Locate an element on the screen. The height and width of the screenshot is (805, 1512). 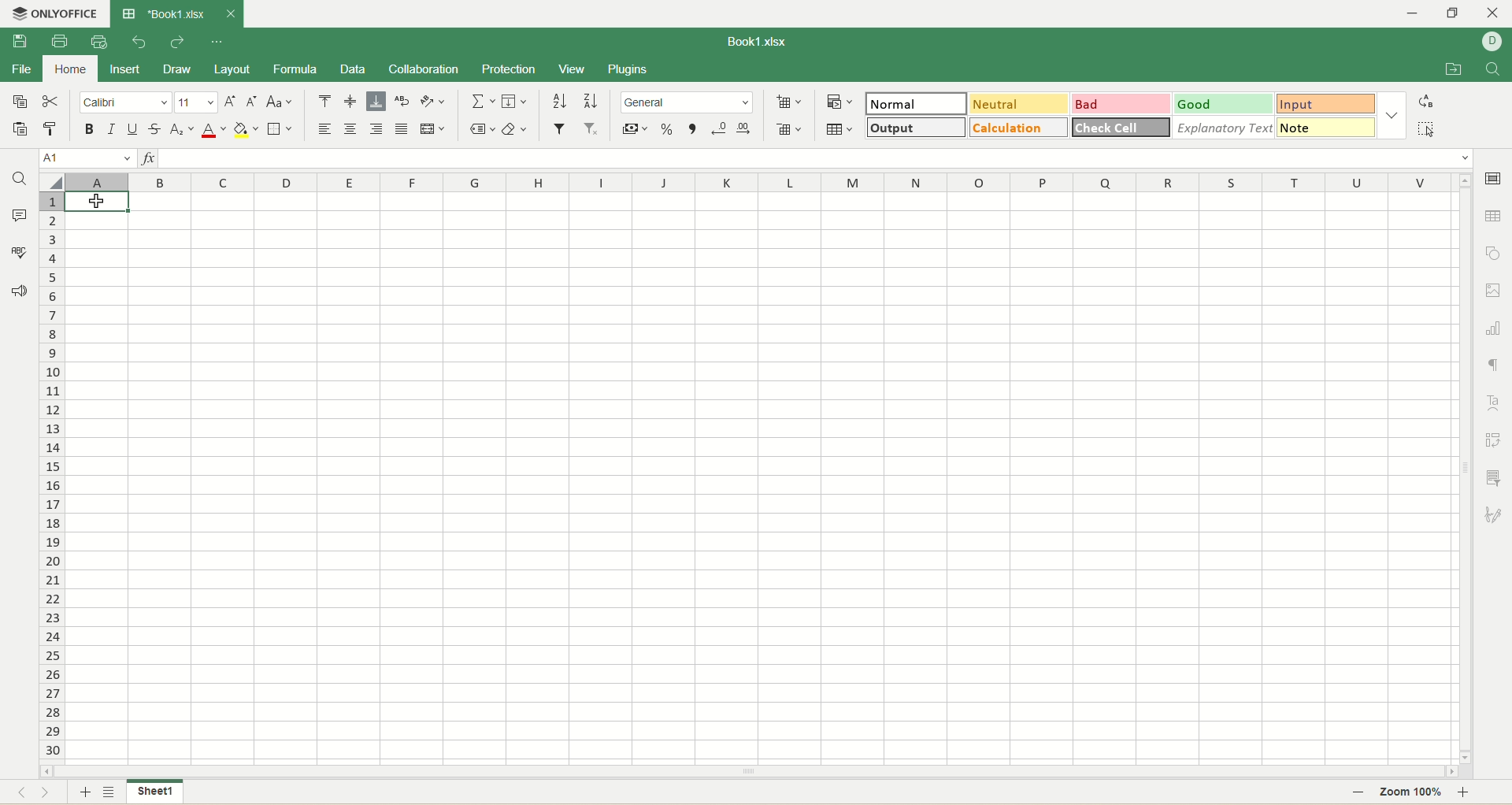
Book1.xlsx is located at coordinates (751, 40).